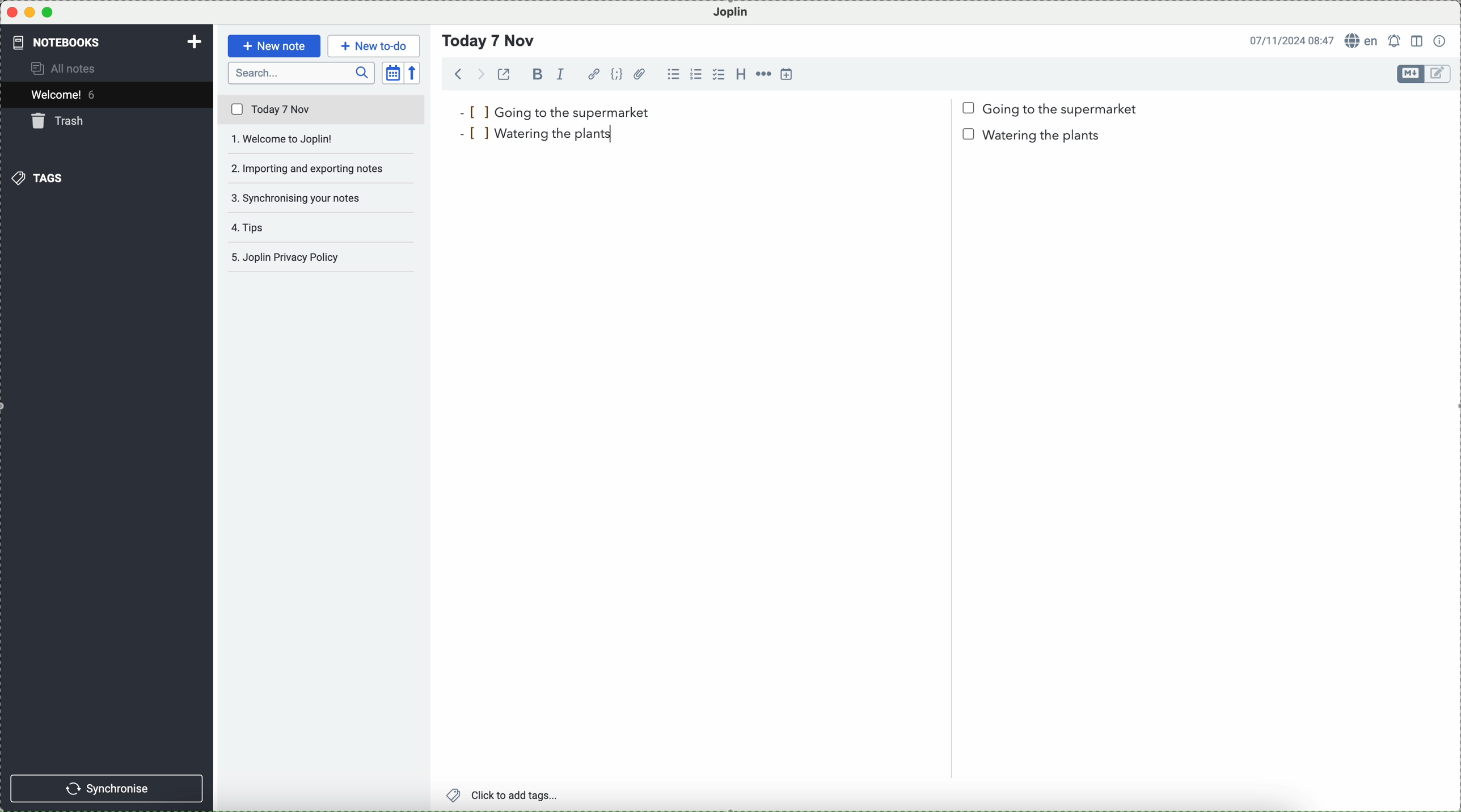 This screenshot has width=1461, height=812. I want to click on all notes, so click(65, 67).